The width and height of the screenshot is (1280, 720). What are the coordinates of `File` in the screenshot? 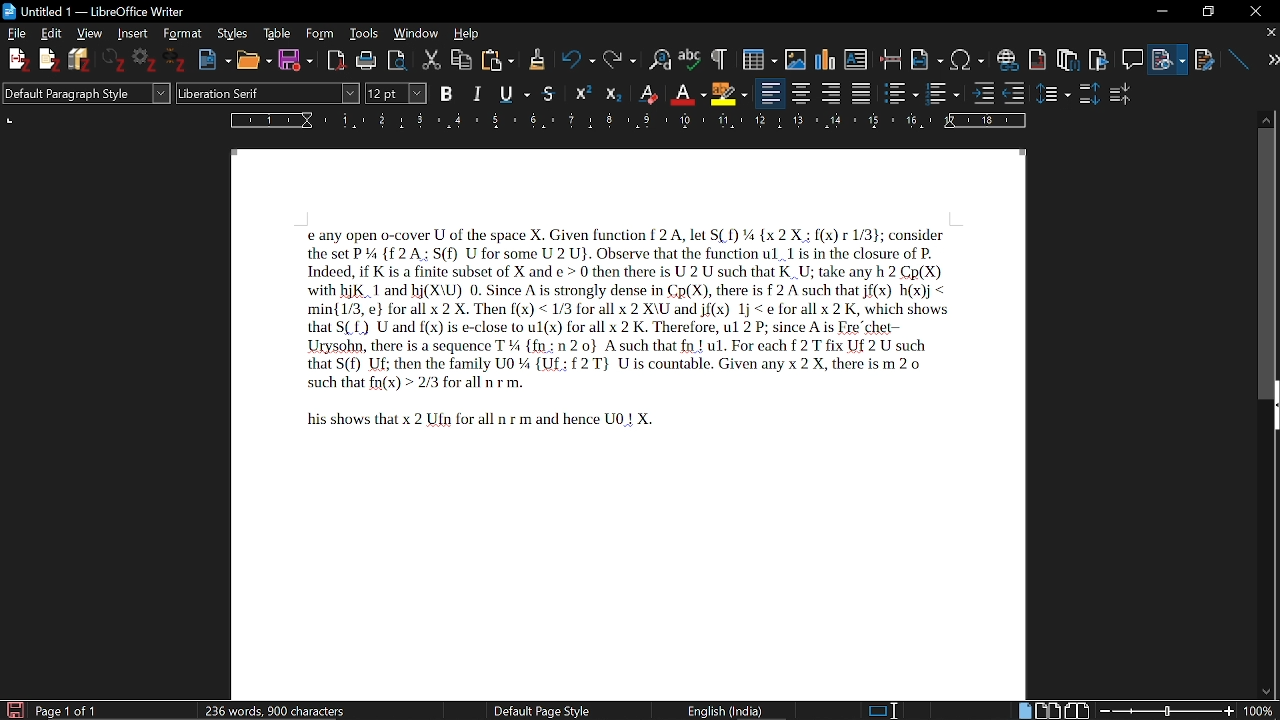 It's located at (19, 34).